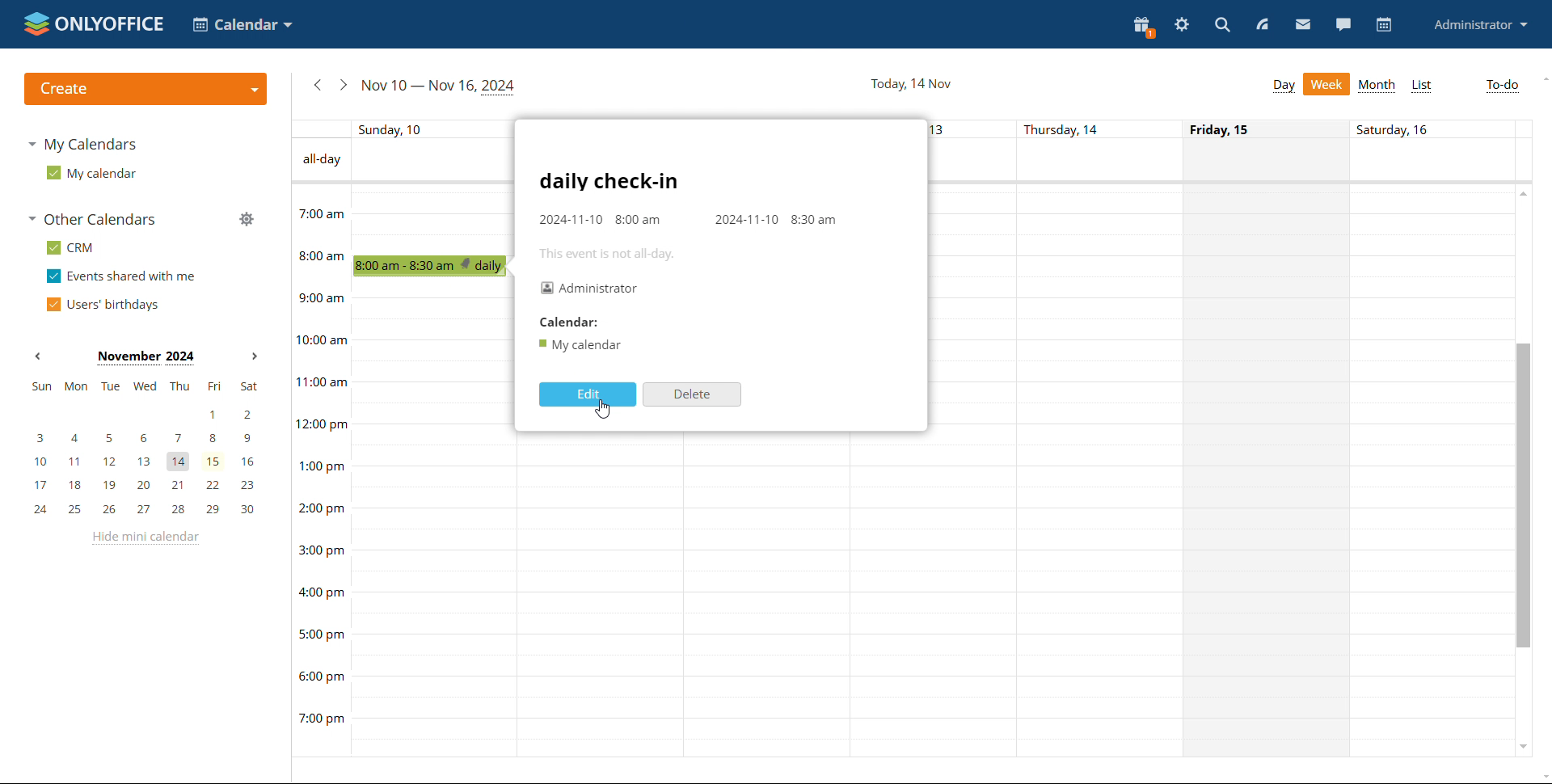  What do you see at coordinates (591, 287) in the screenshot?
I see `organiser` at bounding box center [591, 287].